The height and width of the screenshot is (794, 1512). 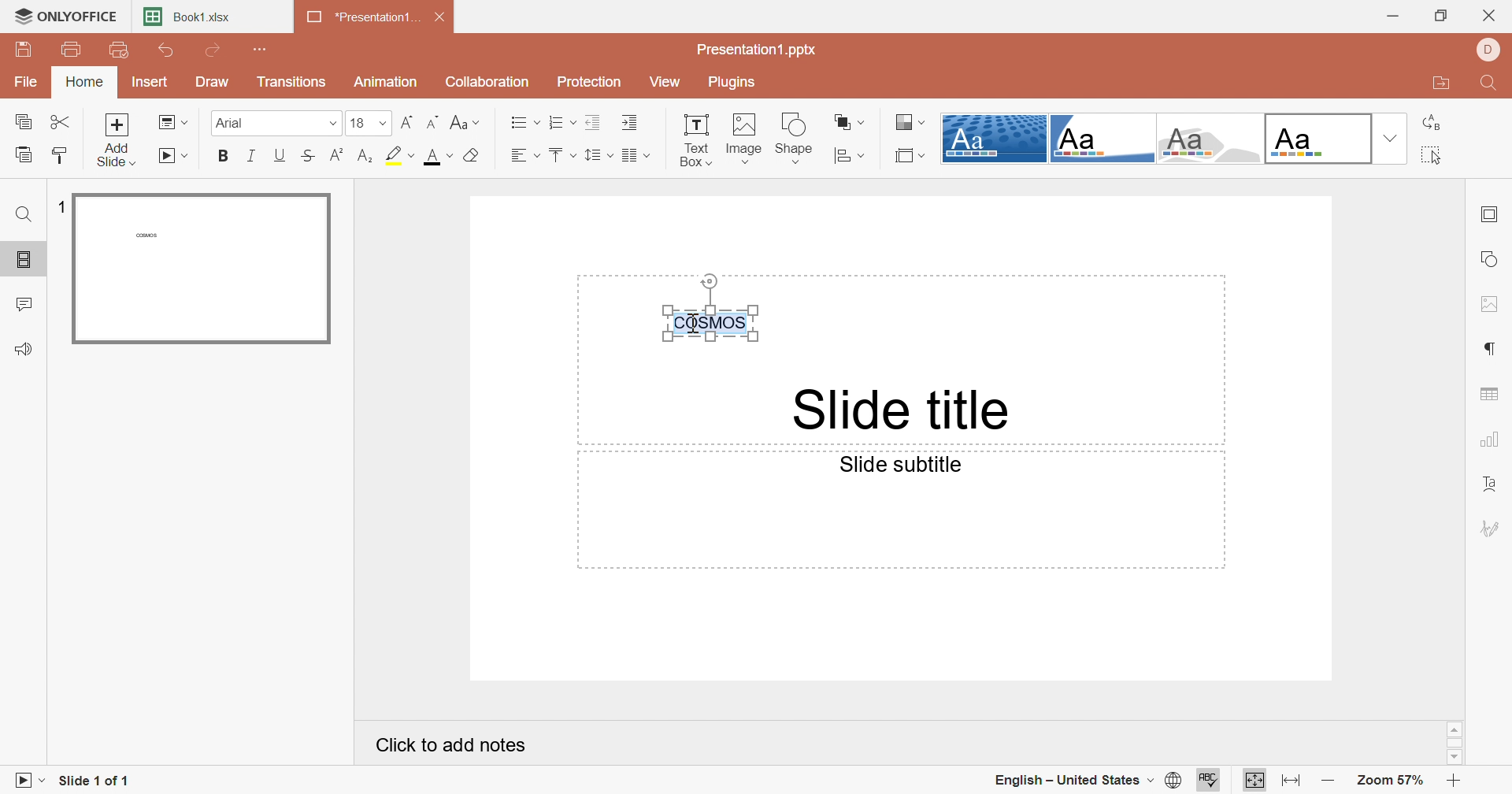 I want to click on English - United State, so click(x=1071, y=779).